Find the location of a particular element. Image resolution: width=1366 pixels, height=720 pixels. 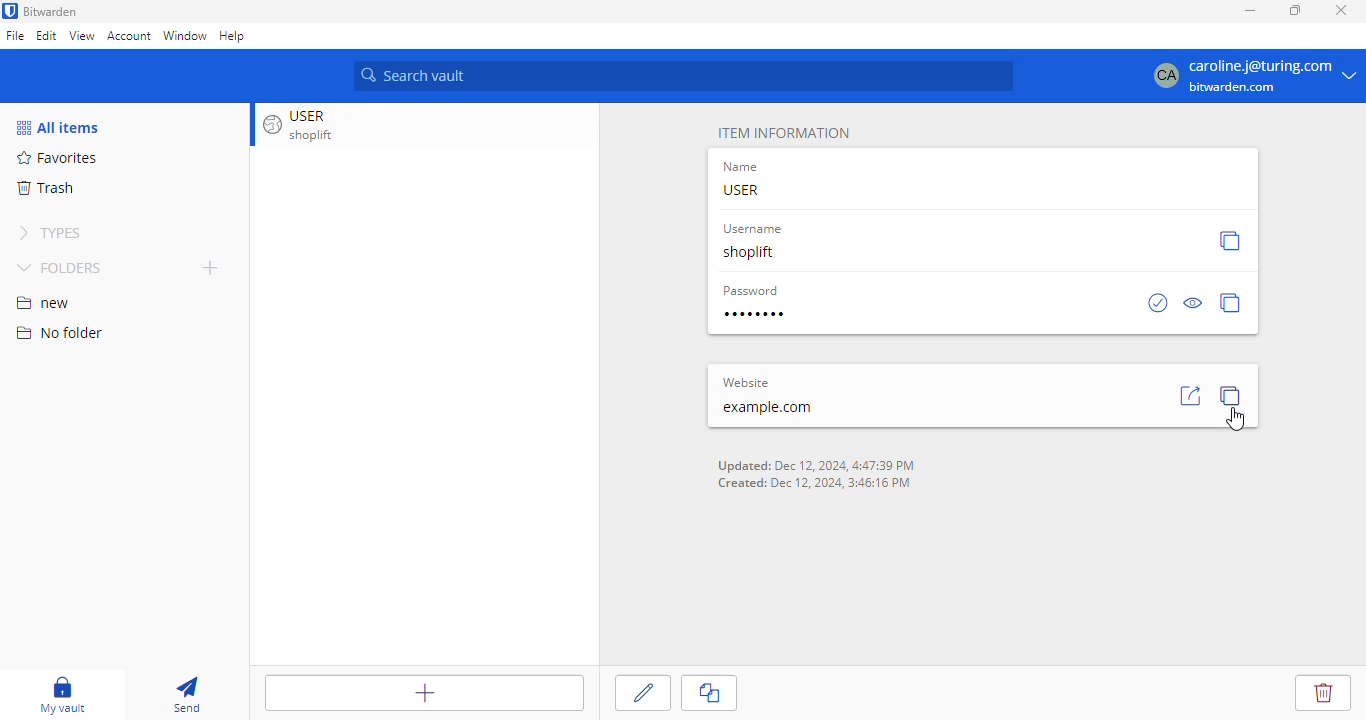

new folder is located at coordinates (209, 268).